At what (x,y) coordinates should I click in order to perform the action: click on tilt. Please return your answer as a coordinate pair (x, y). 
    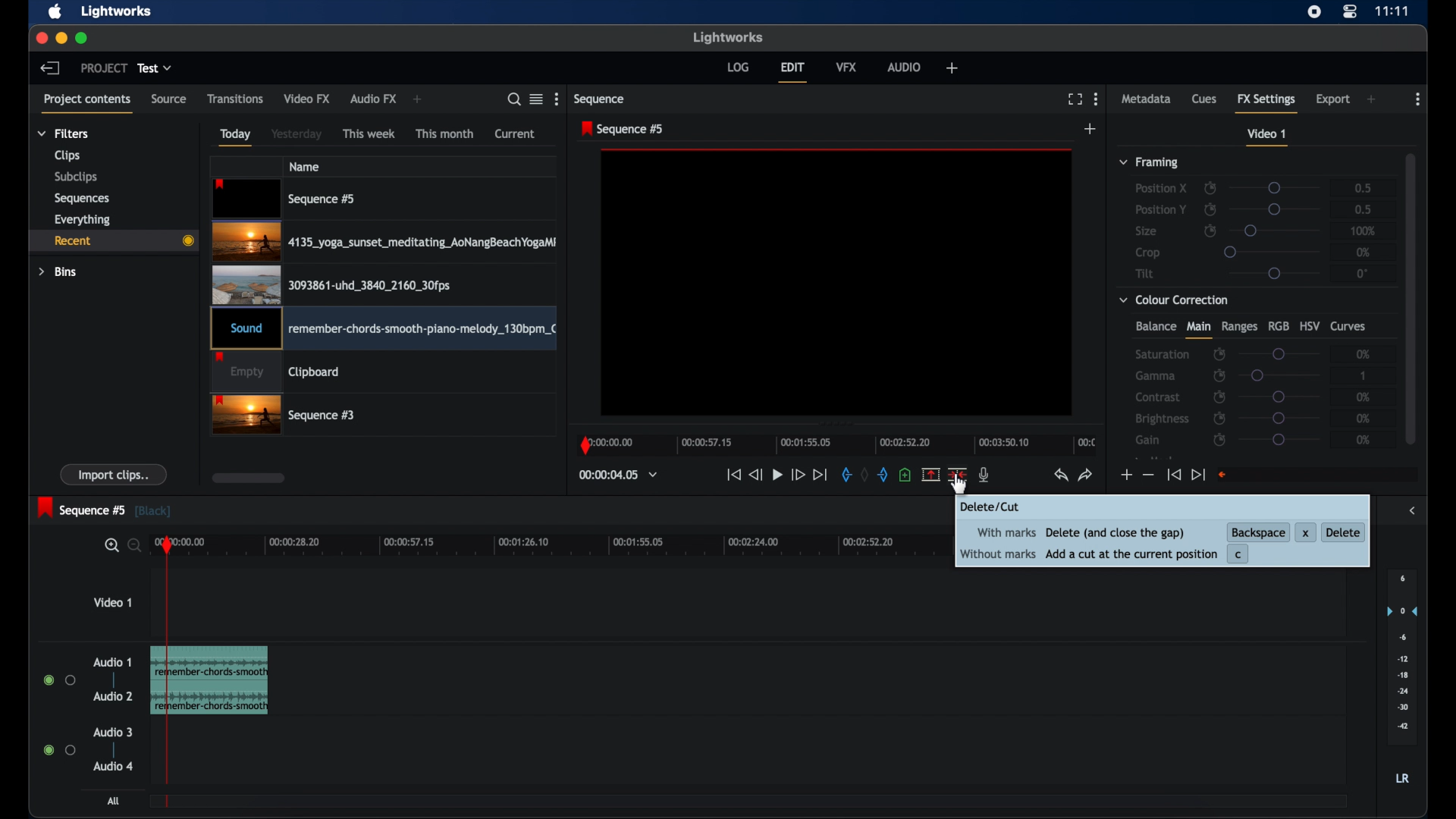
    Looking at the image, I should click on (1145, 273).